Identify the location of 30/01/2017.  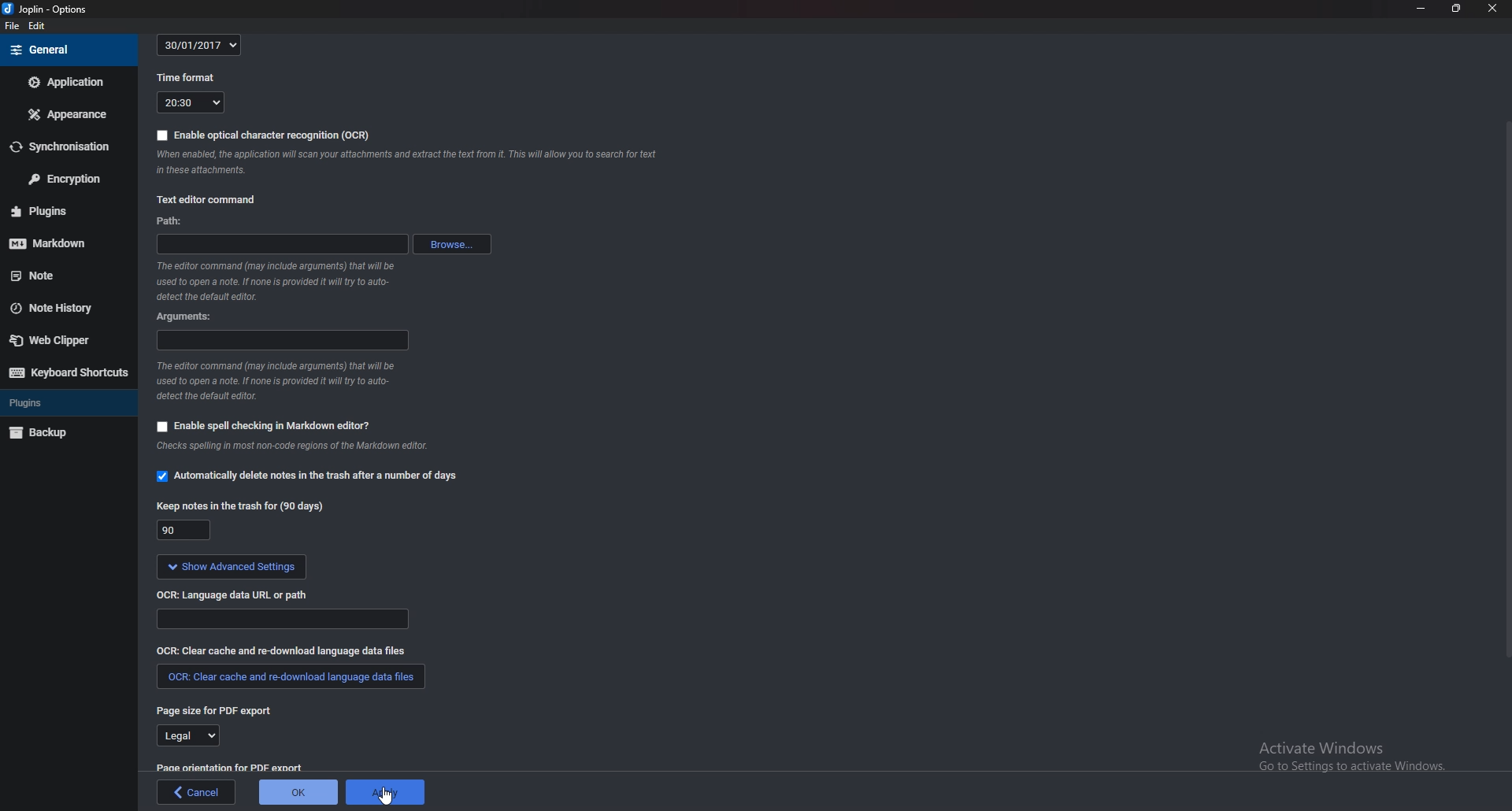
(202, 43).